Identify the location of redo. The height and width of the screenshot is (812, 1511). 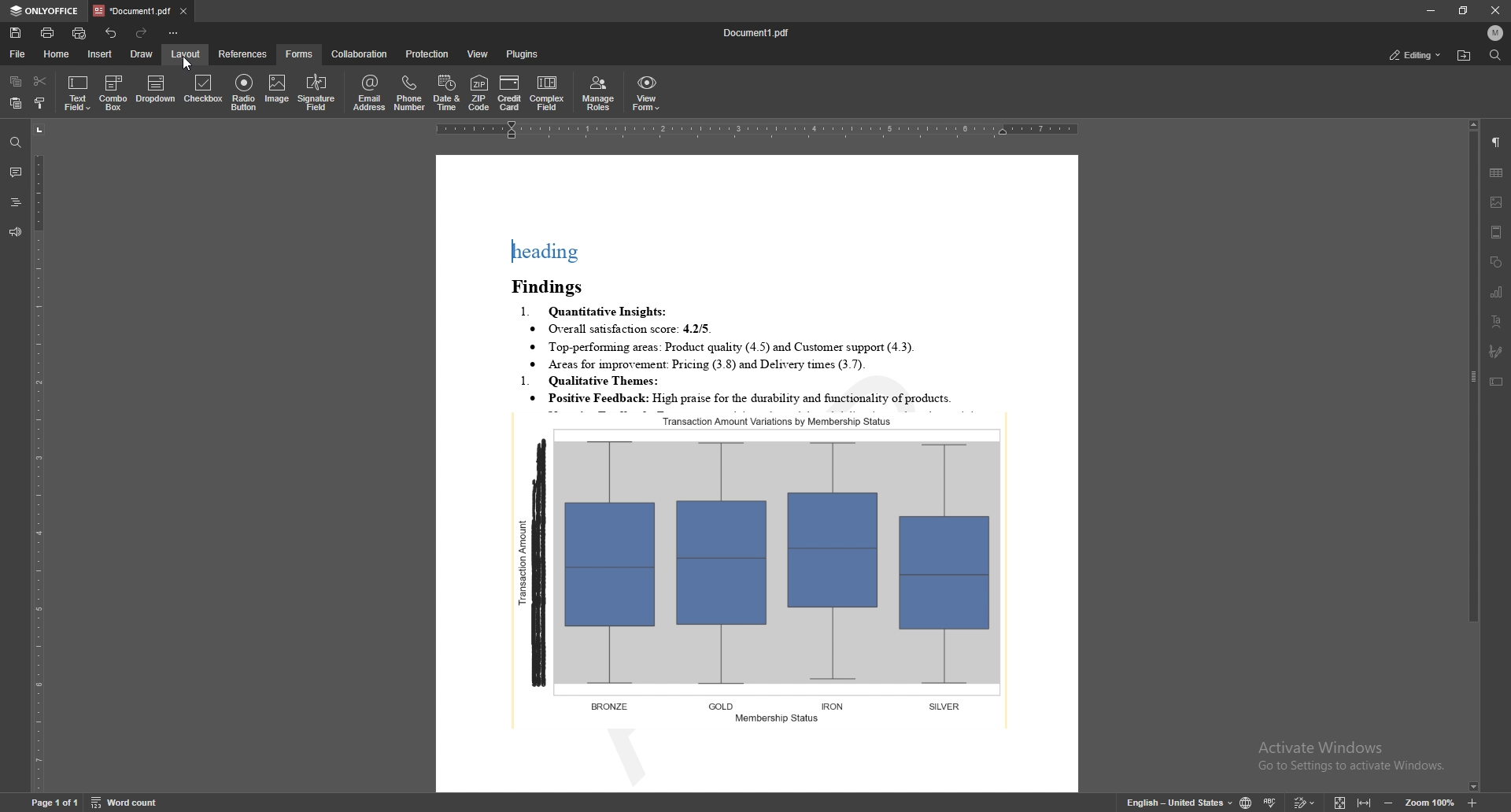
(140, 32).